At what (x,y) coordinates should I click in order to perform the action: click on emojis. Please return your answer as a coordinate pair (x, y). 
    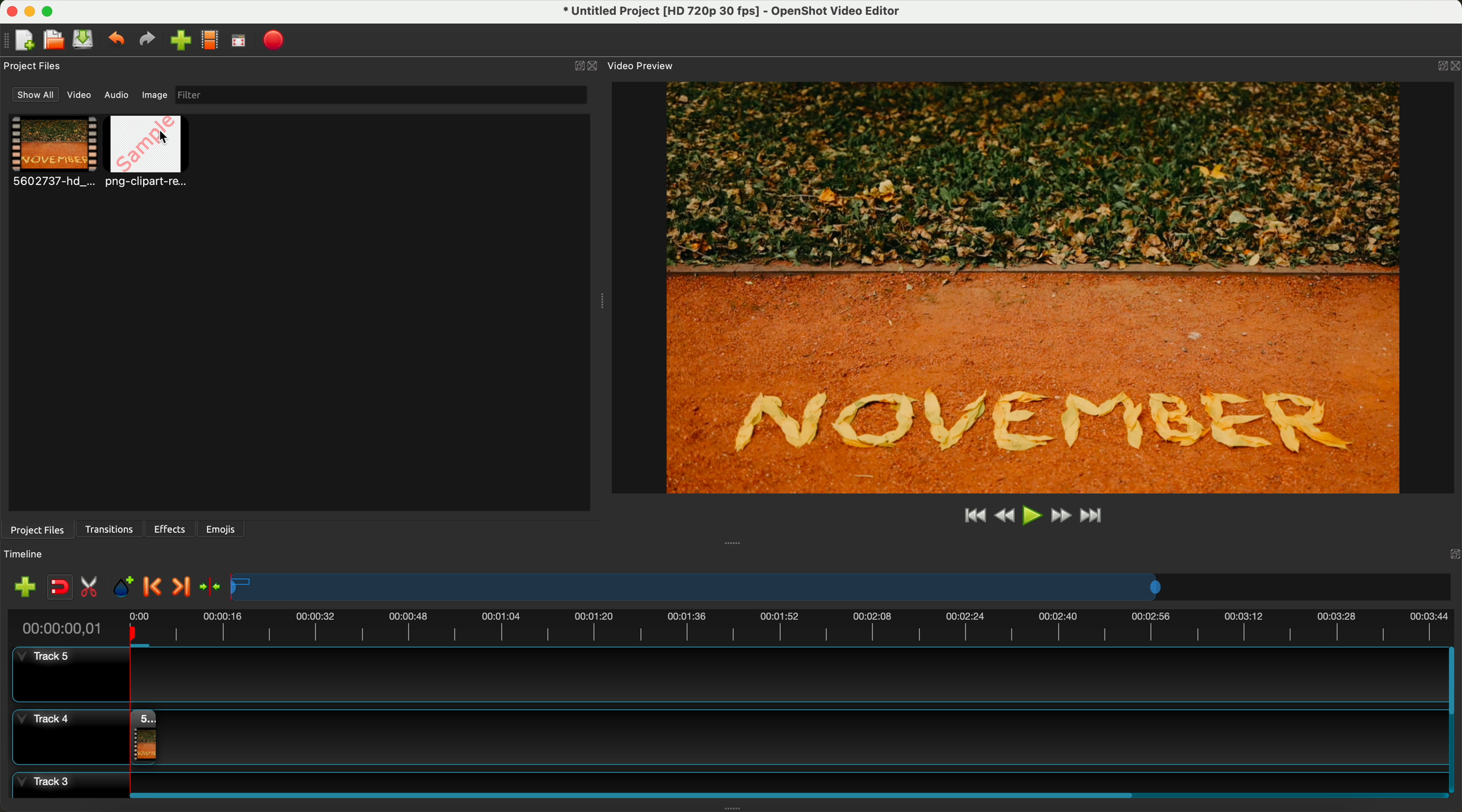
    Looking at the image, I should click on (221, 527).